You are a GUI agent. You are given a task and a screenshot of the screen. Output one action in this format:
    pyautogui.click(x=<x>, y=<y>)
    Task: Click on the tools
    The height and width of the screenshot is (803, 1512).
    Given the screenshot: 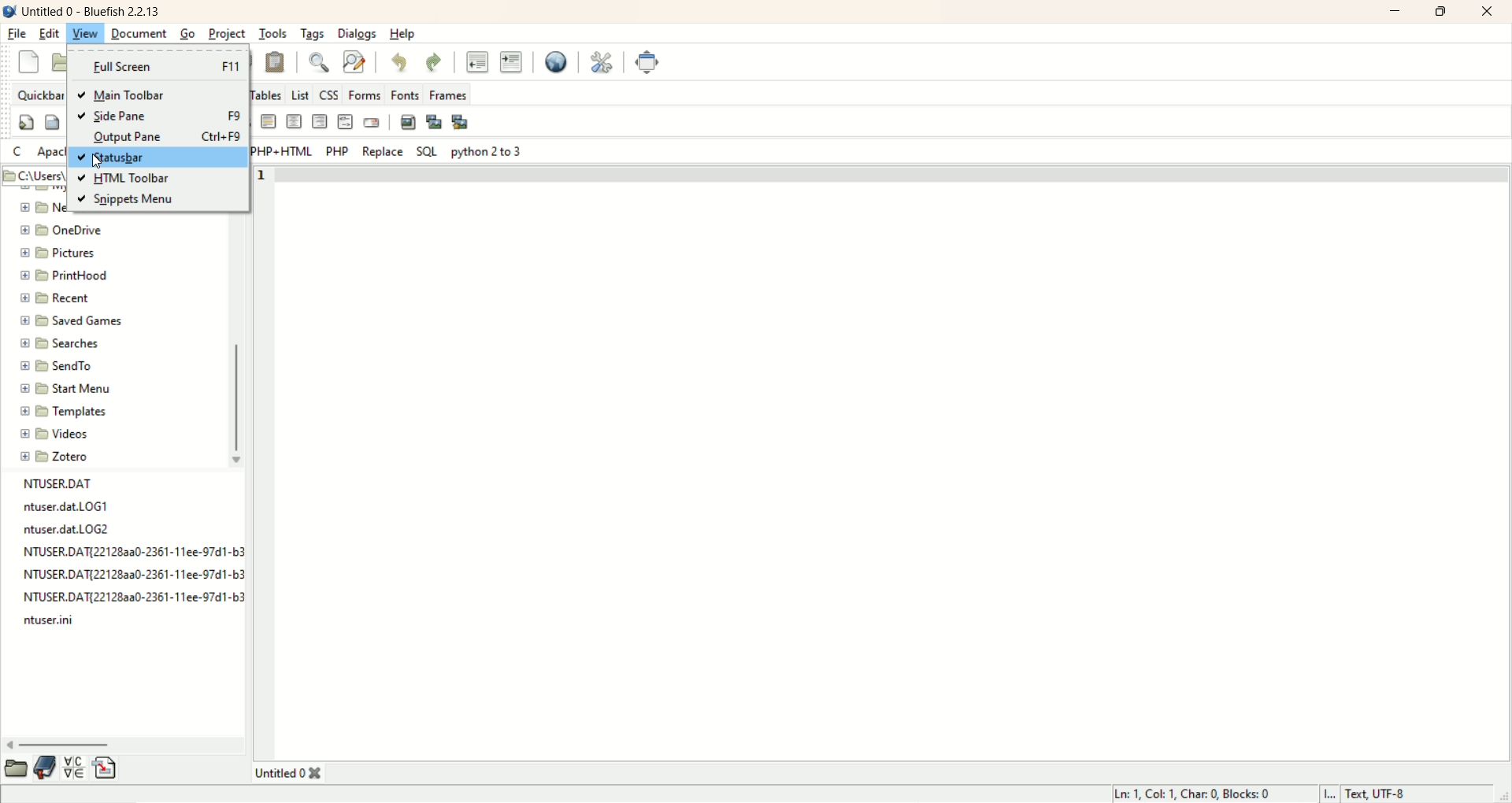 What is the action you would take?
    pyautogui.click(x=272, y=33)
    